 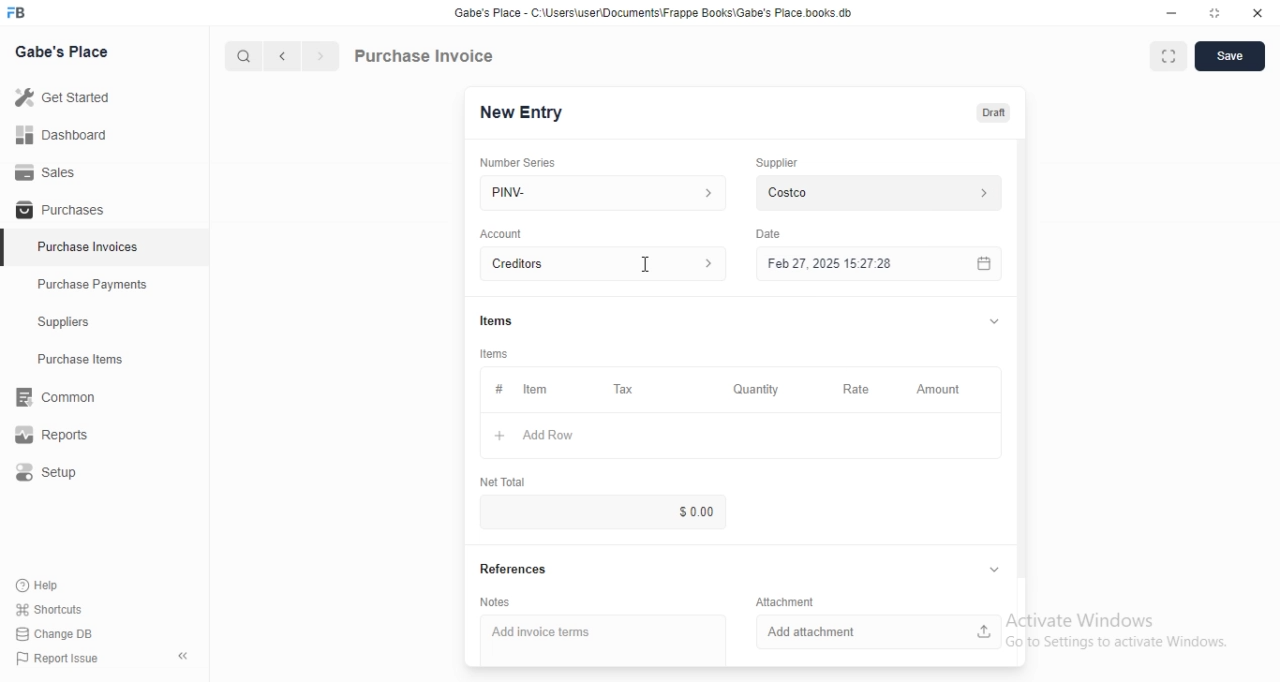 I want to click on Collapse, so click(x=183, y=656).